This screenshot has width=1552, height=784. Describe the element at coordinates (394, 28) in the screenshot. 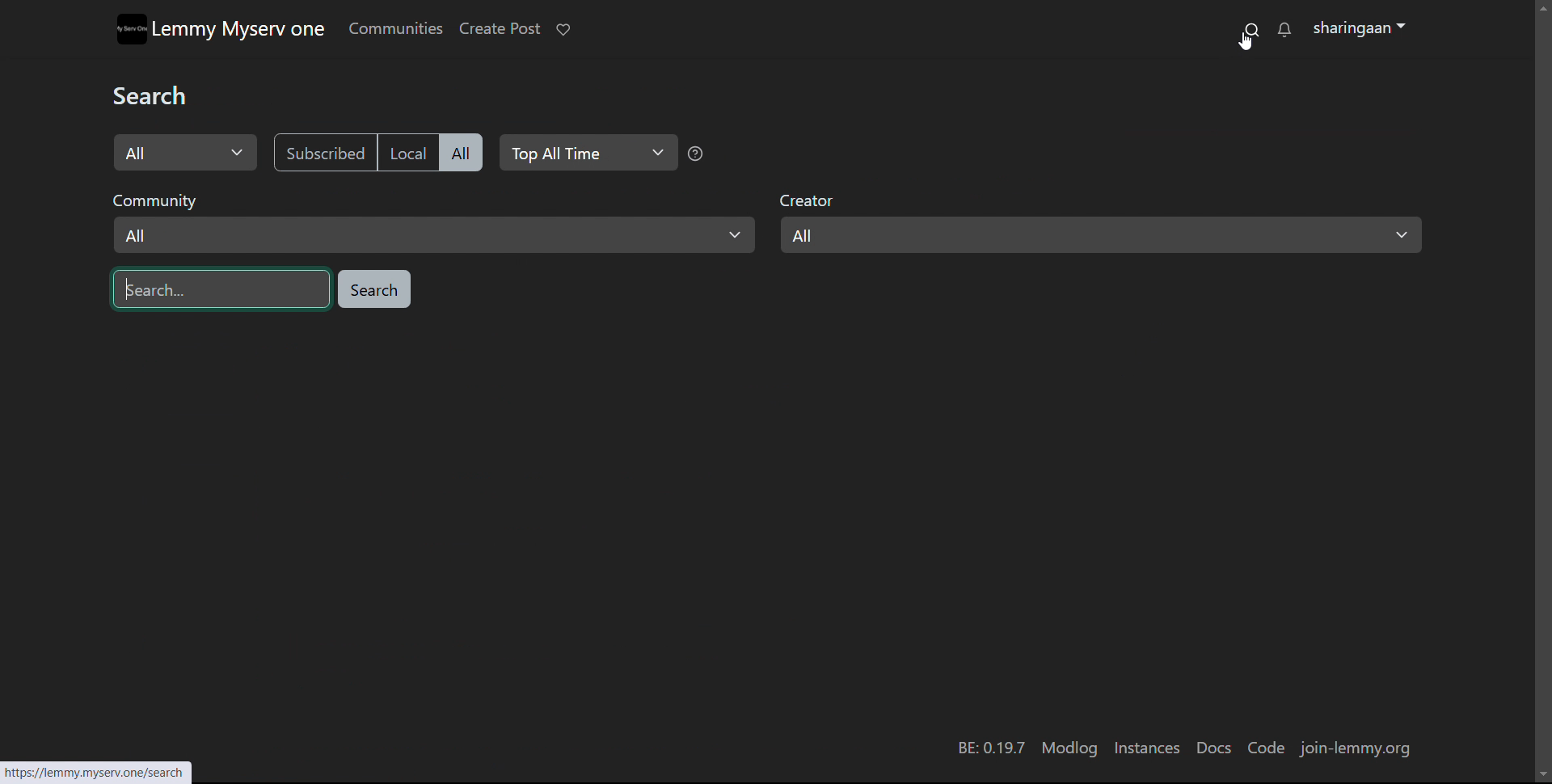

I see `communities` at that location.